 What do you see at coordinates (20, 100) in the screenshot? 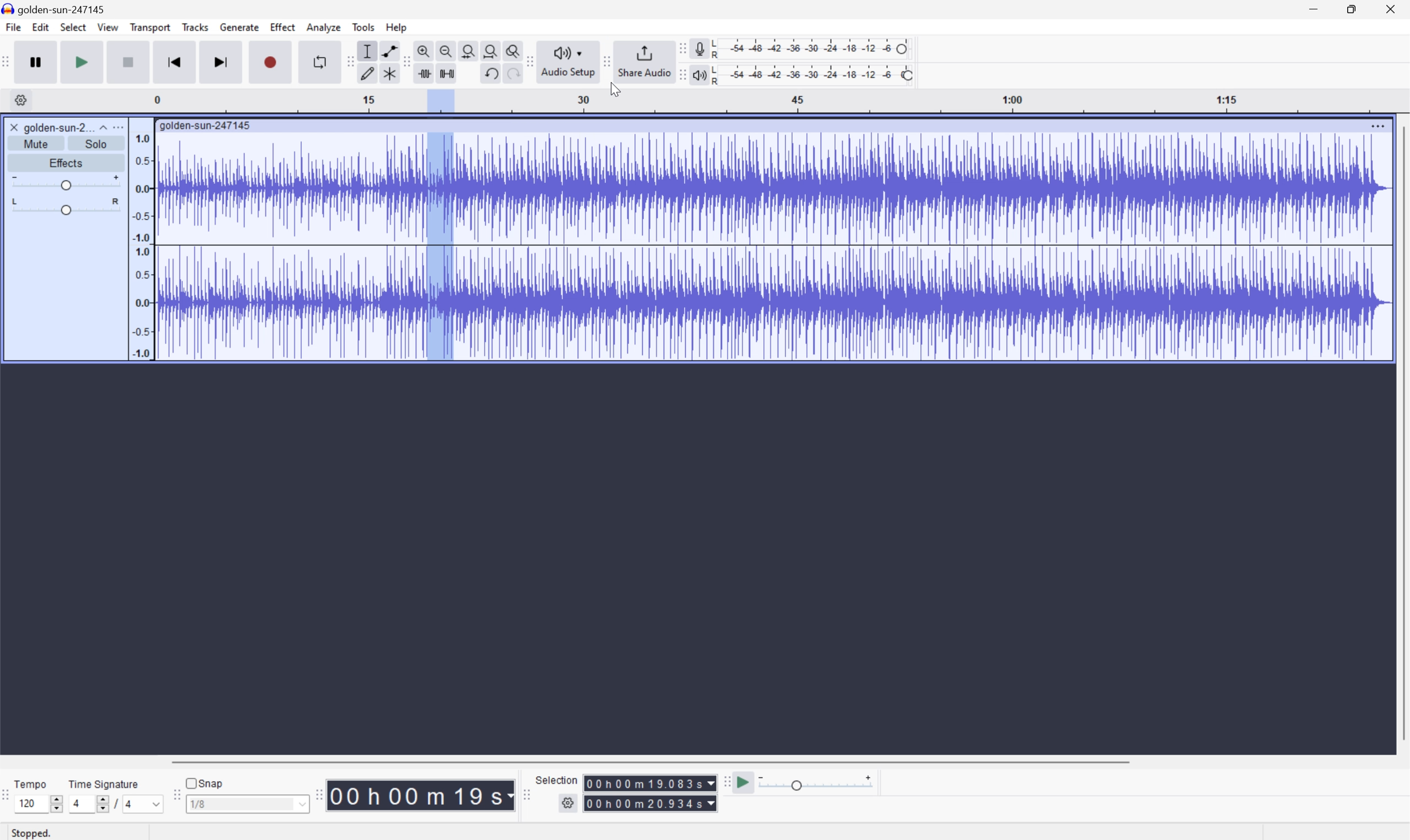
I see `settings` at bounding box center [20, 100].